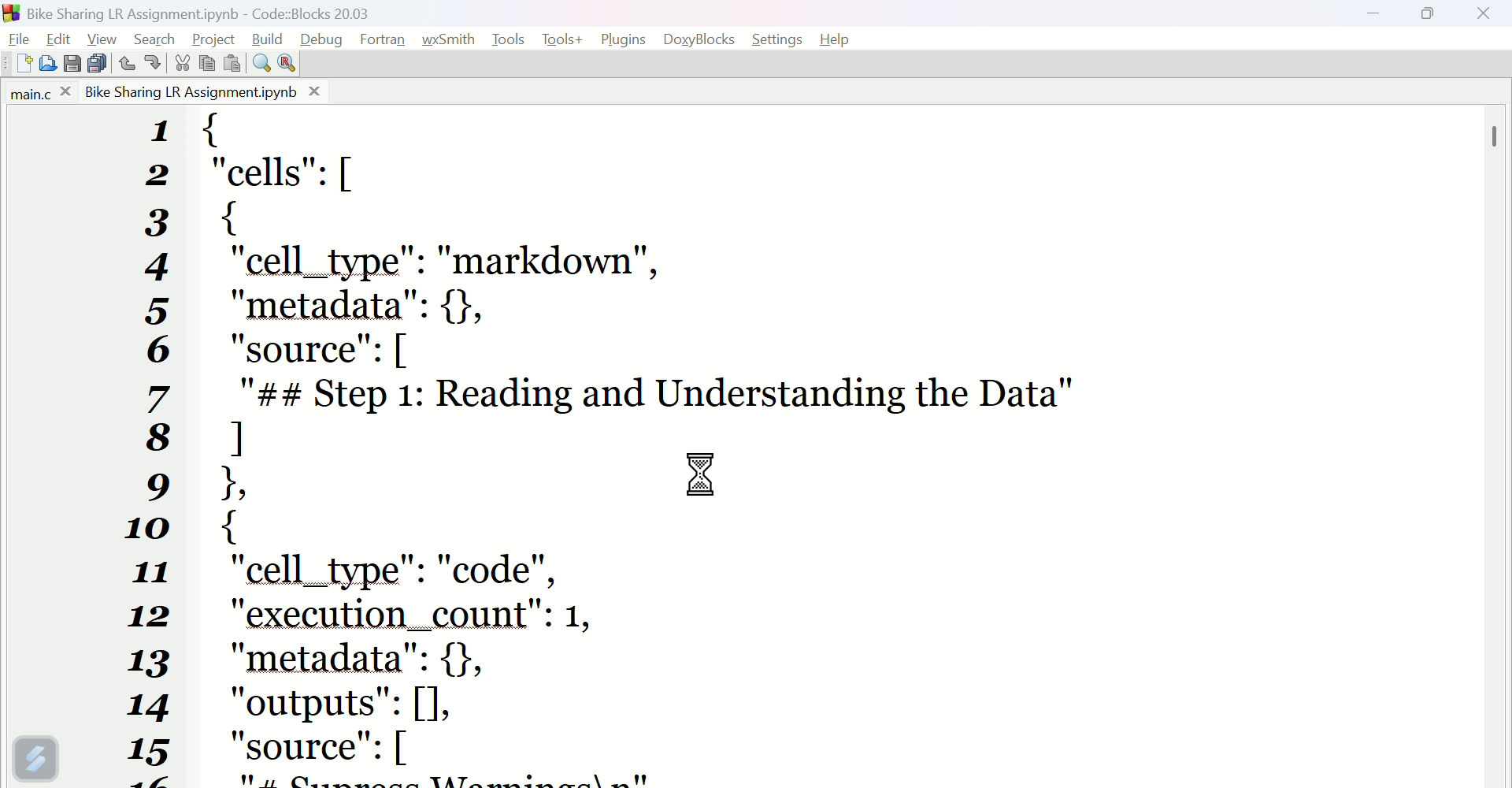  What do you see at coordinates (287, 62) in the screenshot?
I see `Replace` at bounding box center [287, 62].